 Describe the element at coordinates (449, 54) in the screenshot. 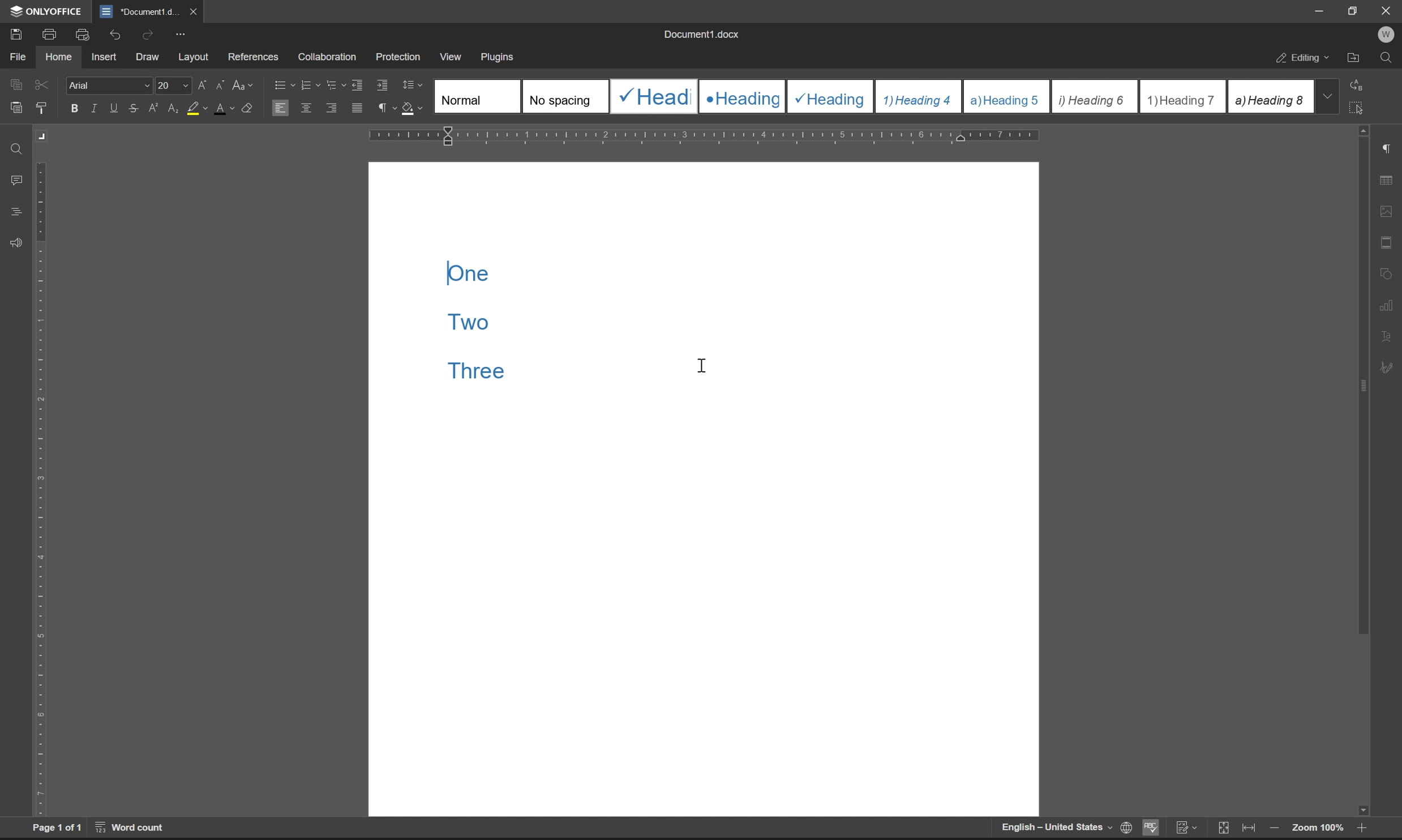

I see `view` at that location.